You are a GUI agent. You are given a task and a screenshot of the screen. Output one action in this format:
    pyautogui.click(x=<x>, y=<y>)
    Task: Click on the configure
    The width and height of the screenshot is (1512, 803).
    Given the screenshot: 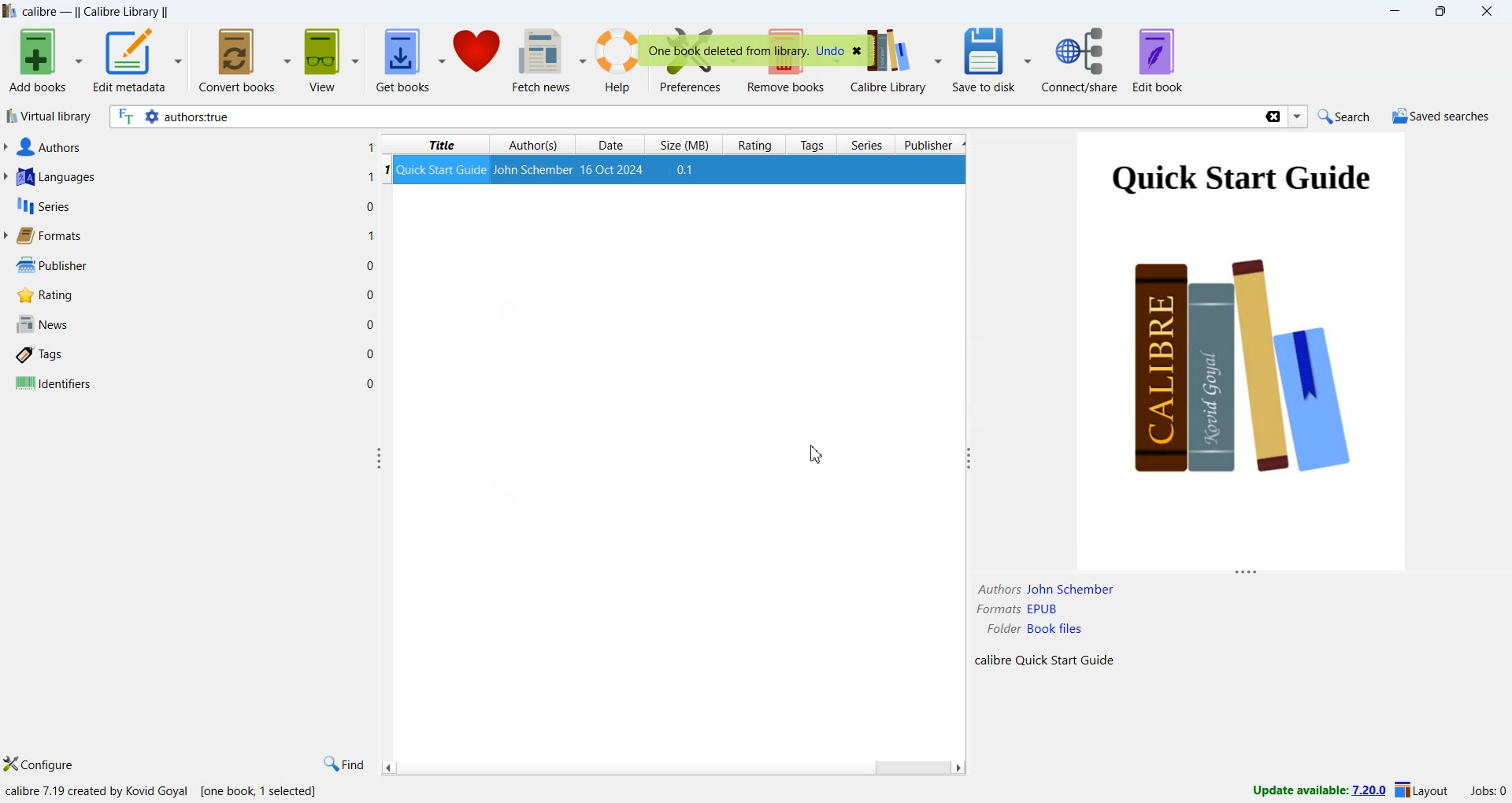 What is the action you would take?
    pyautogui.click(x=40, y=765)
    